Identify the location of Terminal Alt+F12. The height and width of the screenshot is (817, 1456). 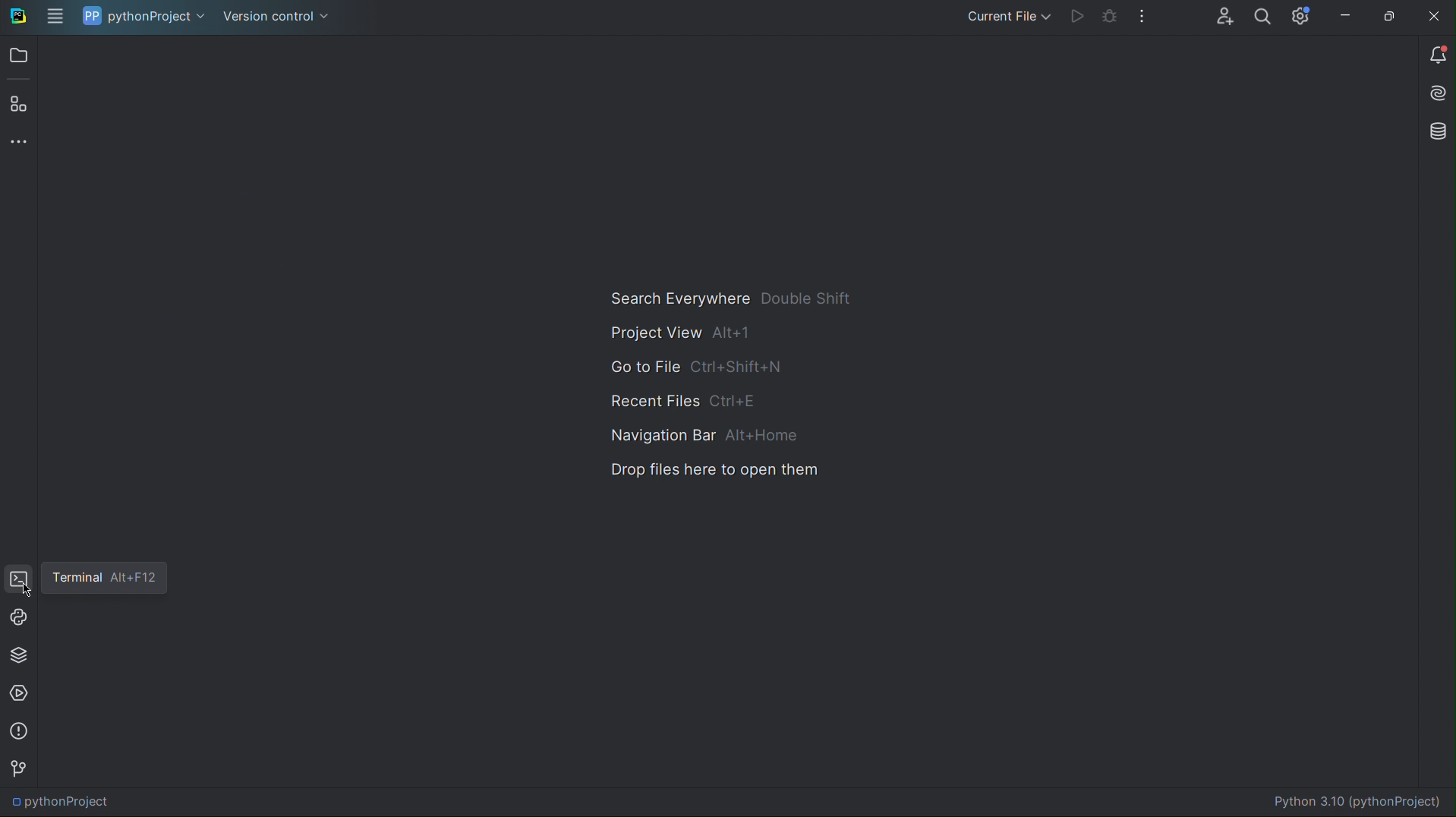
(106, 577).